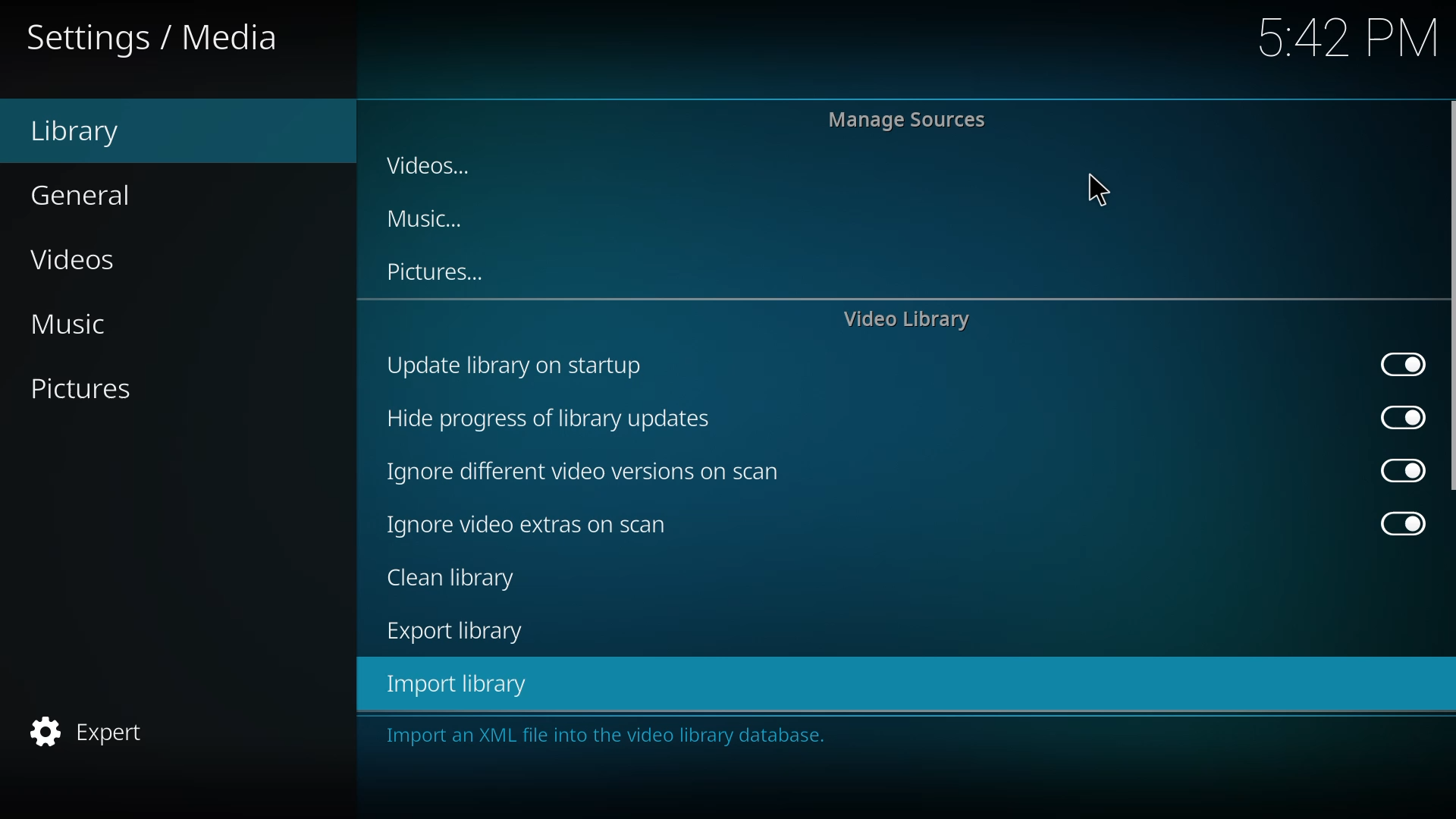  Describe the element at coordinates (92, 735) in the screenshot. I see `expert` at that location.